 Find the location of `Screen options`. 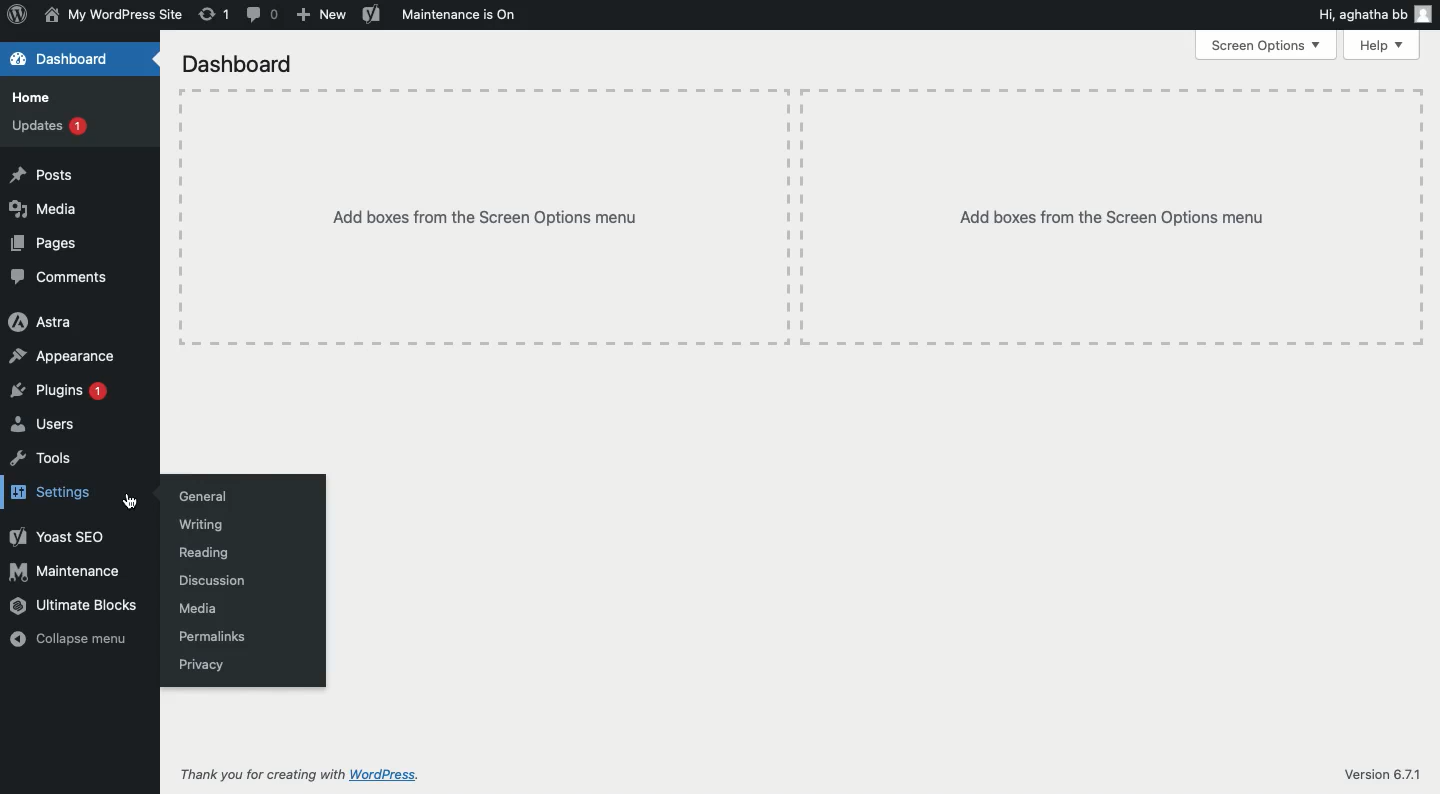

Screen options is located at coordinates (1267, 46).